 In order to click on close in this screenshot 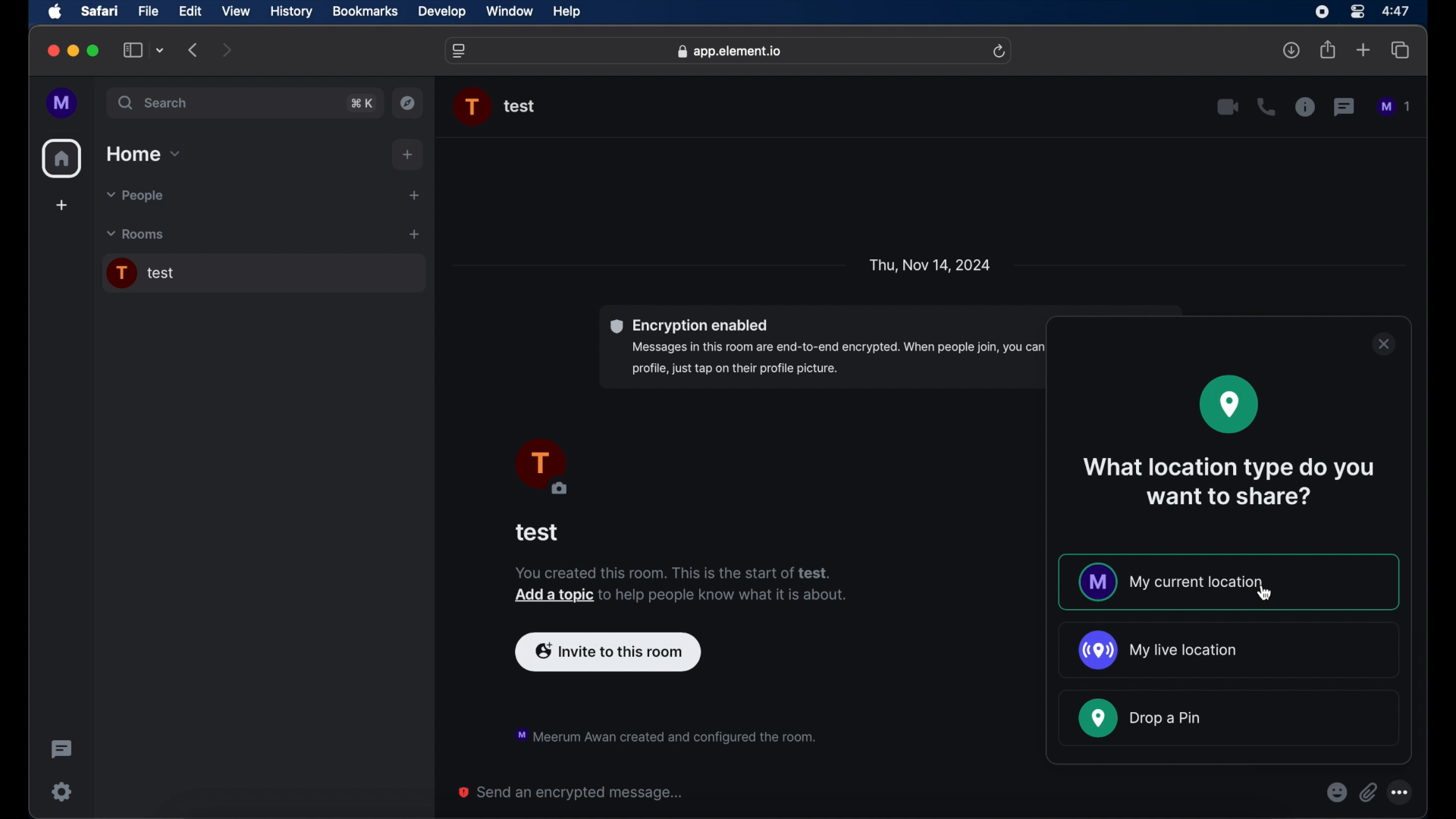, I will do `click(1382, 344)`.